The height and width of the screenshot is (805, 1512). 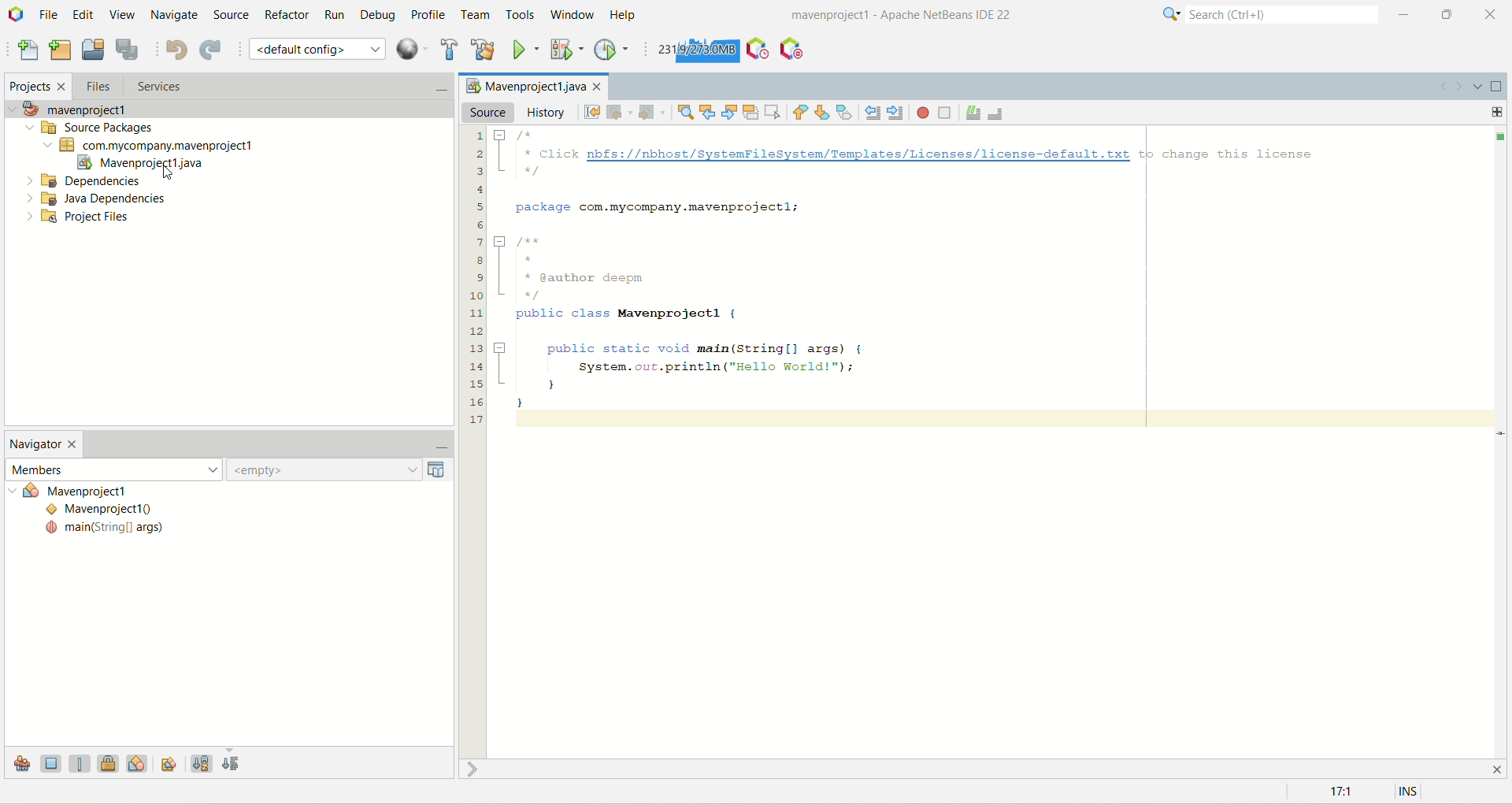 I want to click on dependencies, so click(x=83, y=181).